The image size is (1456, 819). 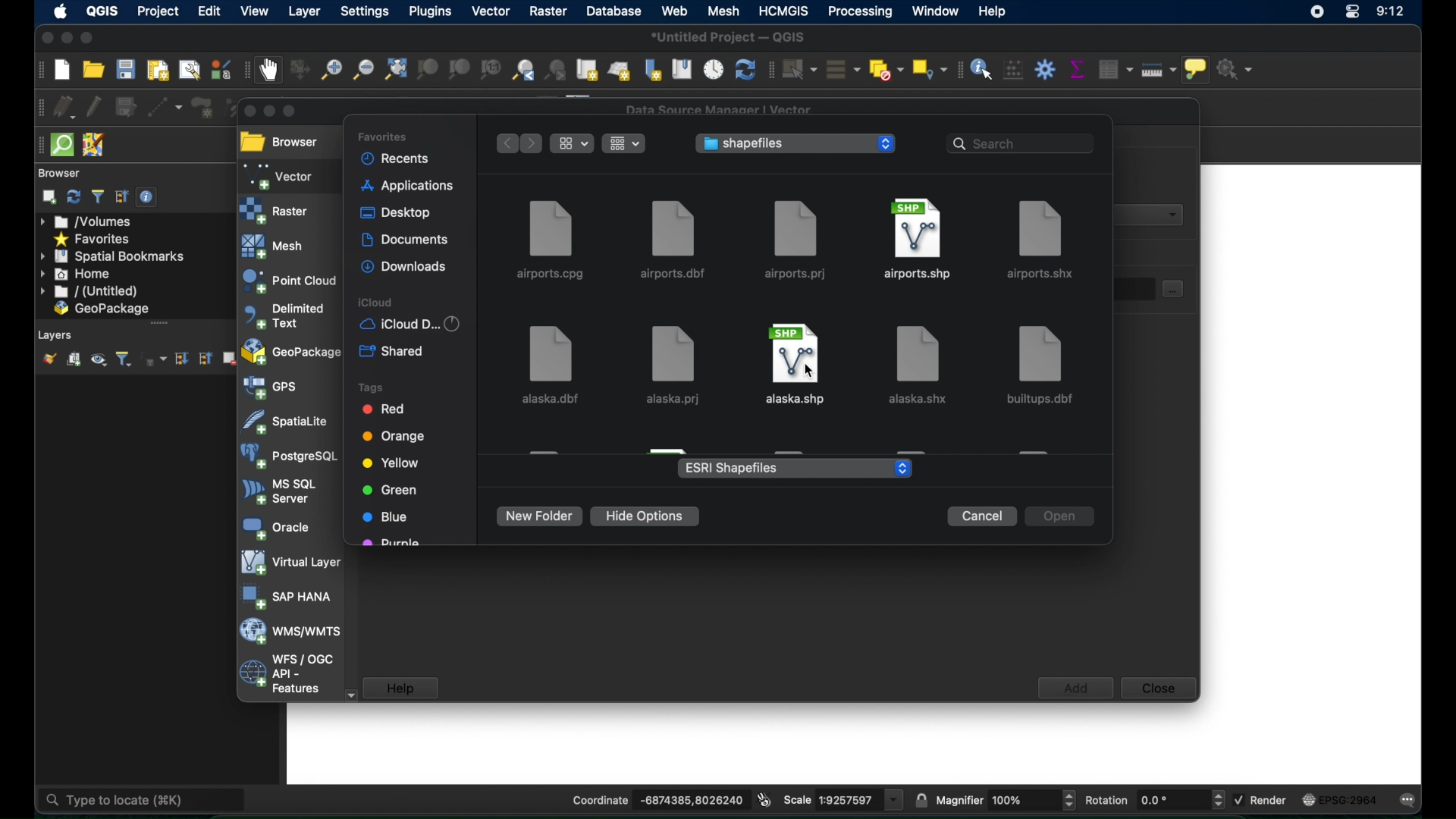 What do you see at coordinates (794, 363) in the screenshot?
I see `file` at bounding box center [794, 363].